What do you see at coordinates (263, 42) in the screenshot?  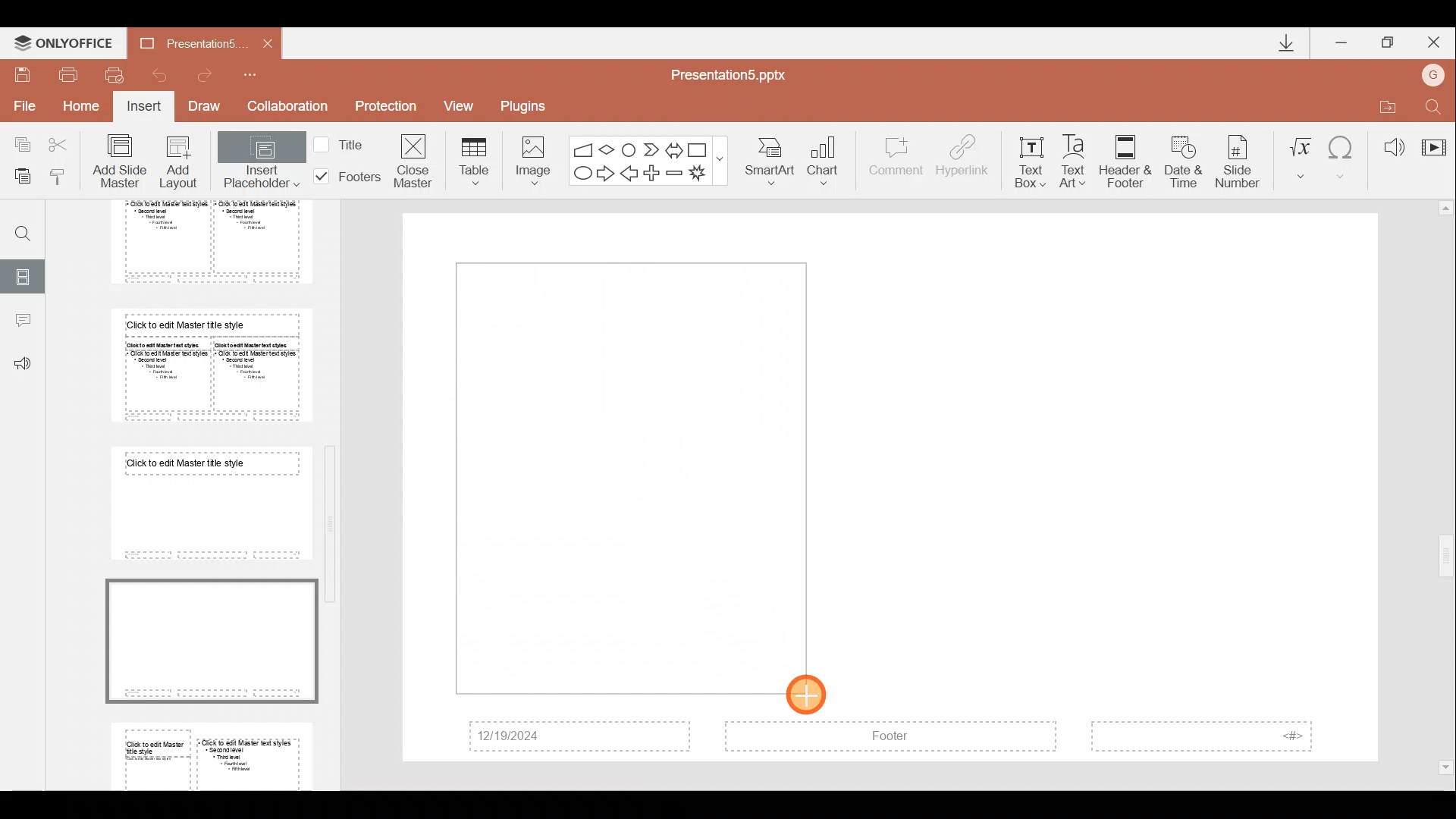 I see `Close document` at bounding box center [263, 42].